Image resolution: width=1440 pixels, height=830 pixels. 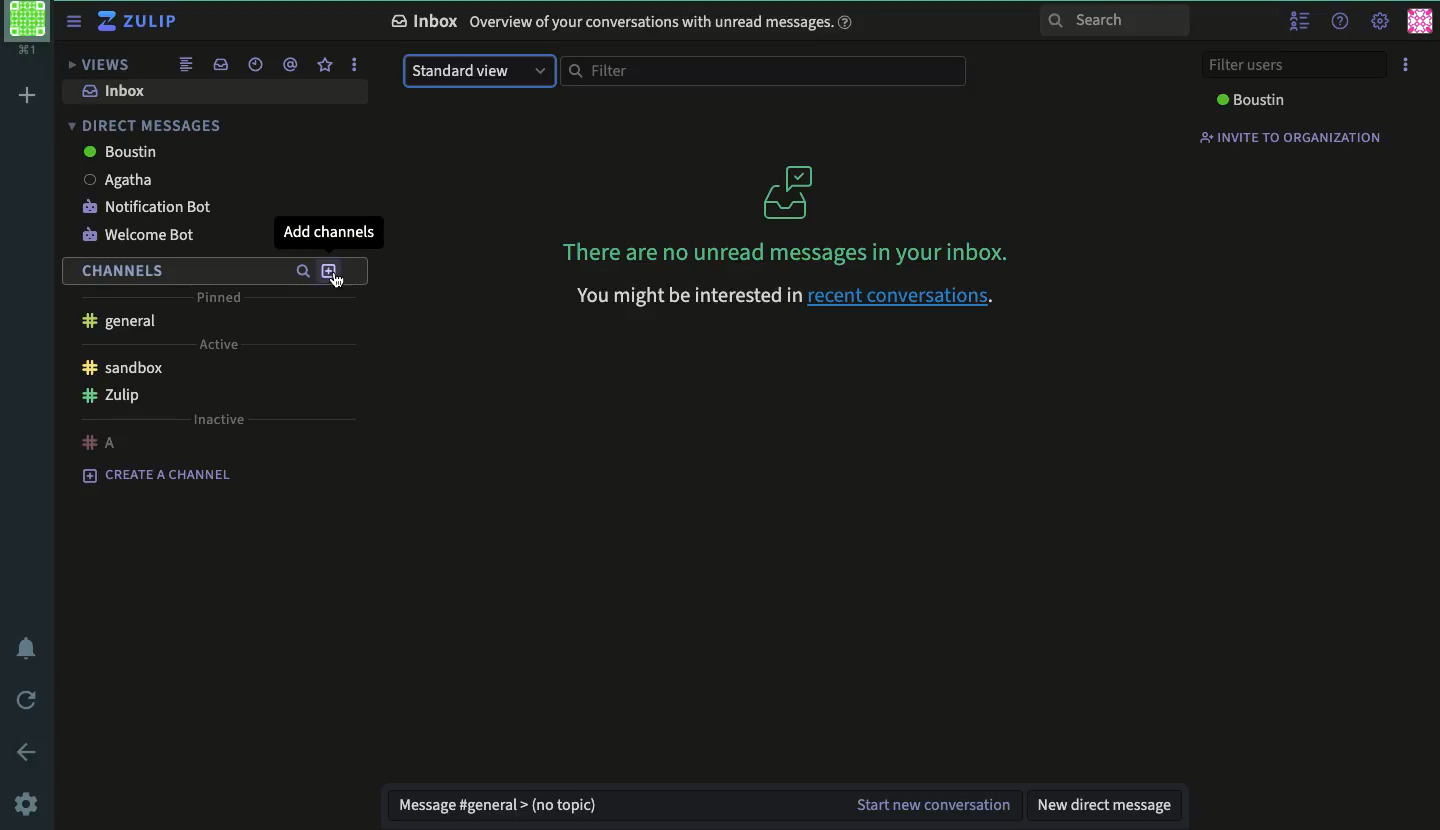 What do you see at coordinates (109, 320) in the screenshot?
I see `general` at bounding box center [109, 320].